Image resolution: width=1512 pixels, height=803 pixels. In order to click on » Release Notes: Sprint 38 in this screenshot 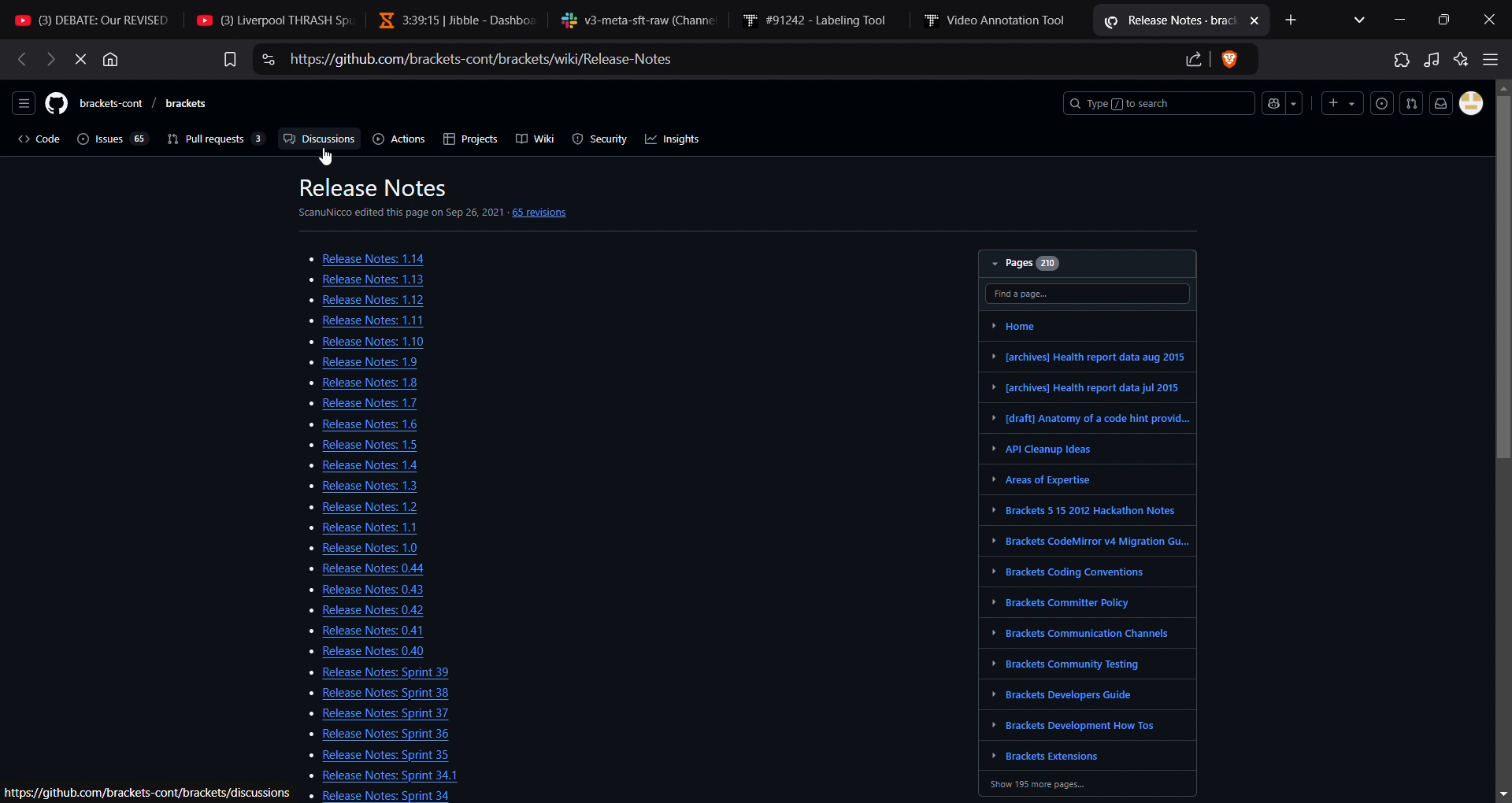, I will do `click(355, 693)`.